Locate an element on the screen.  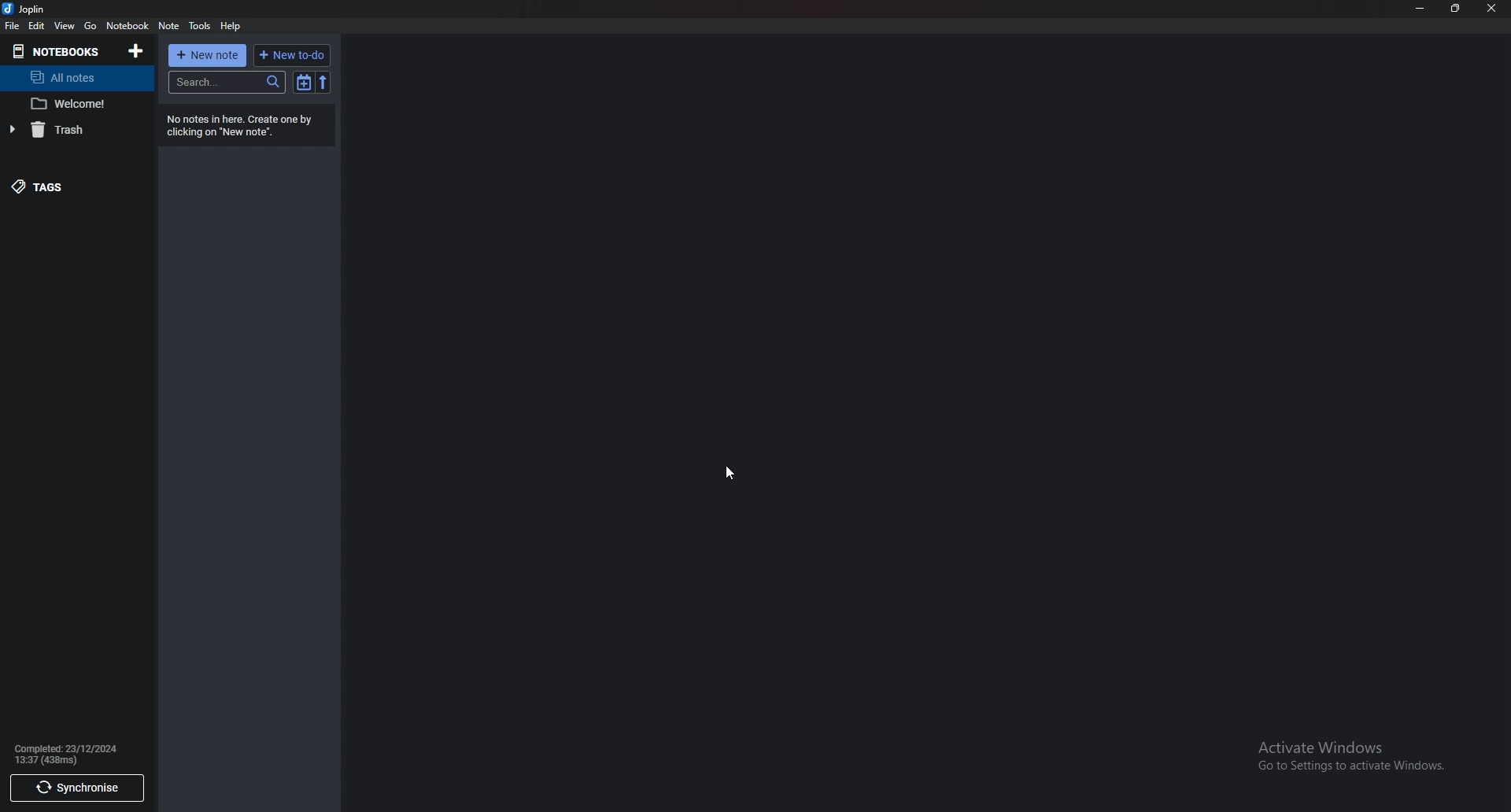
All notes is located at coordinates (76, 77).